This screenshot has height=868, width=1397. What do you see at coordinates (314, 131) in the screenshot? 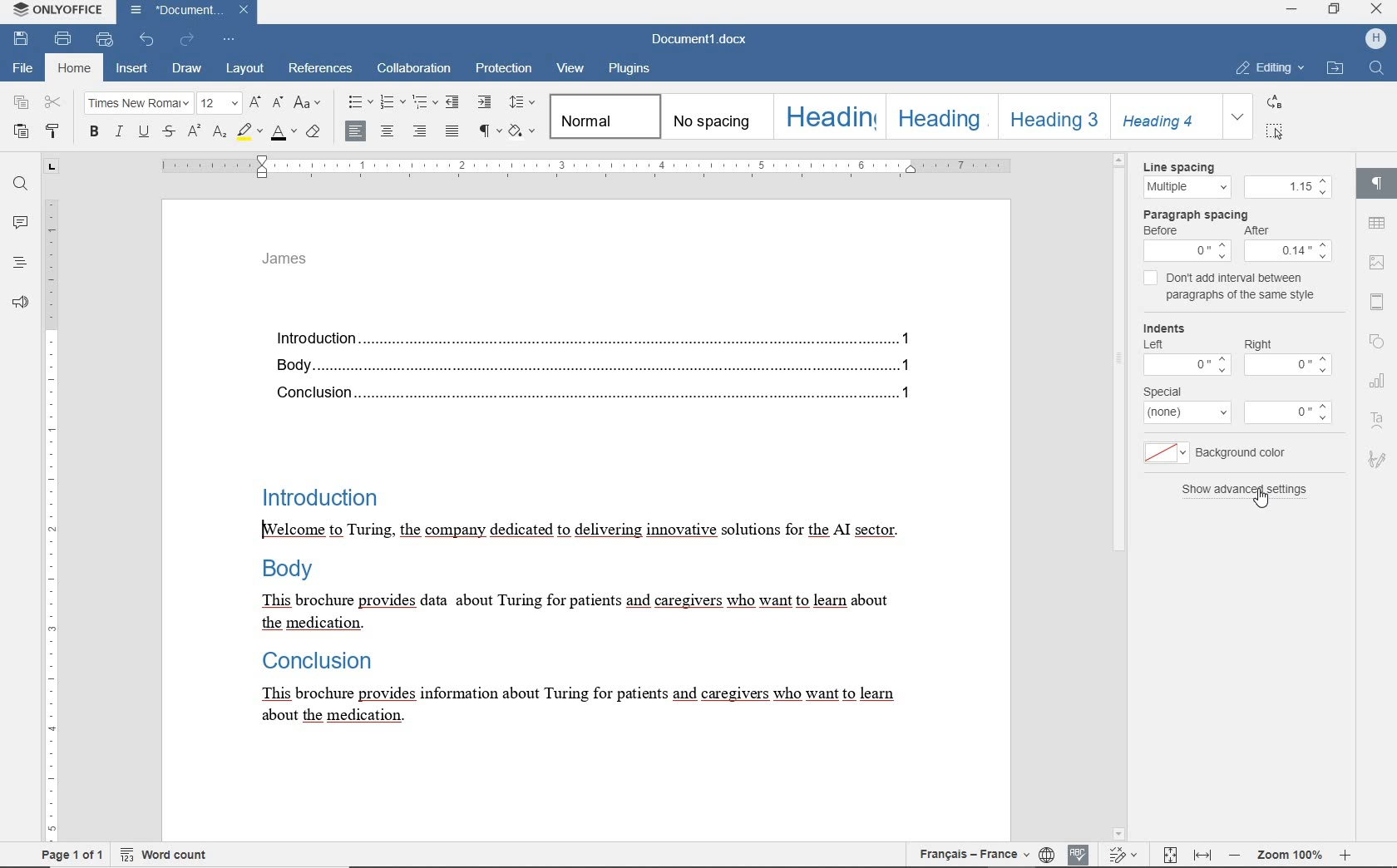
I see `clear style` at bounding box center [314, 131].